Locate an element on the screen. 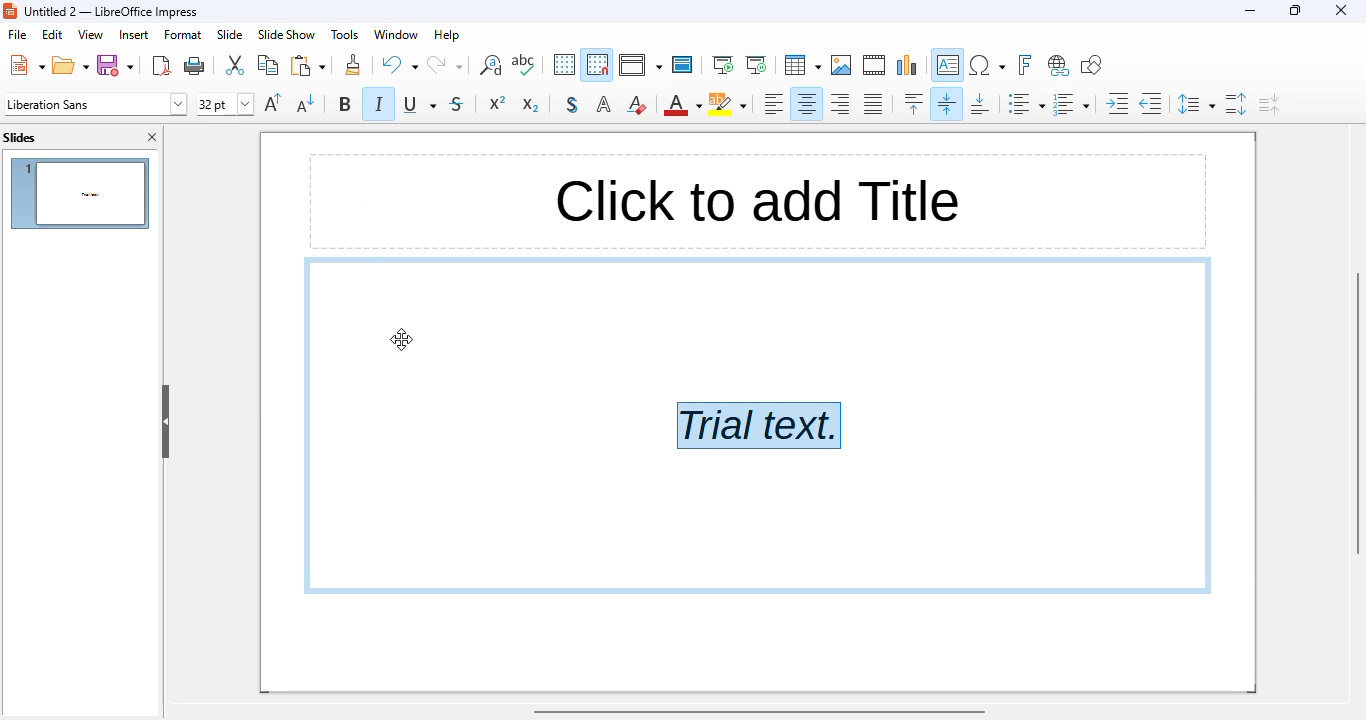 Image resolution: width=1366 pixels, height=720 pixels. toggle unordered list is located at coordinates (1025, 103).